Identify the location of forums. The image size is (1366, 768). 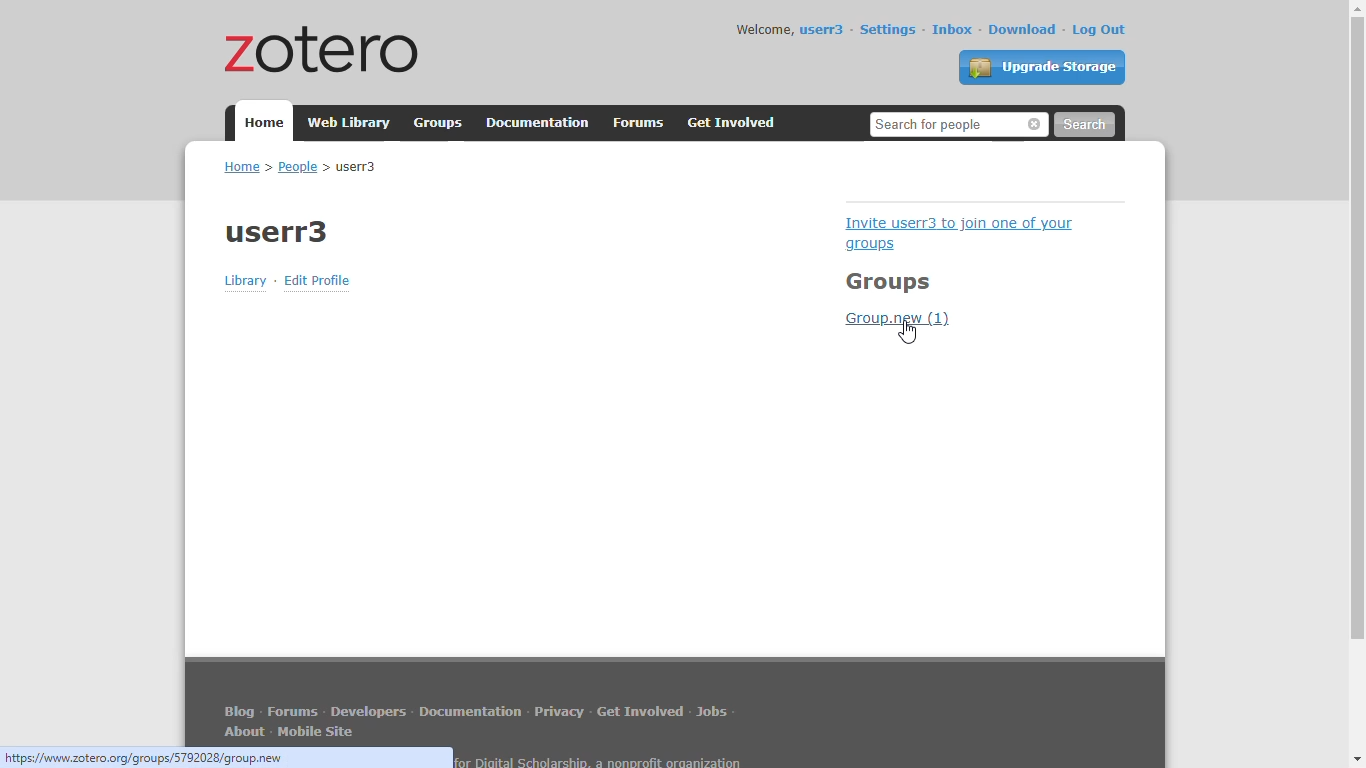
(639, 123).